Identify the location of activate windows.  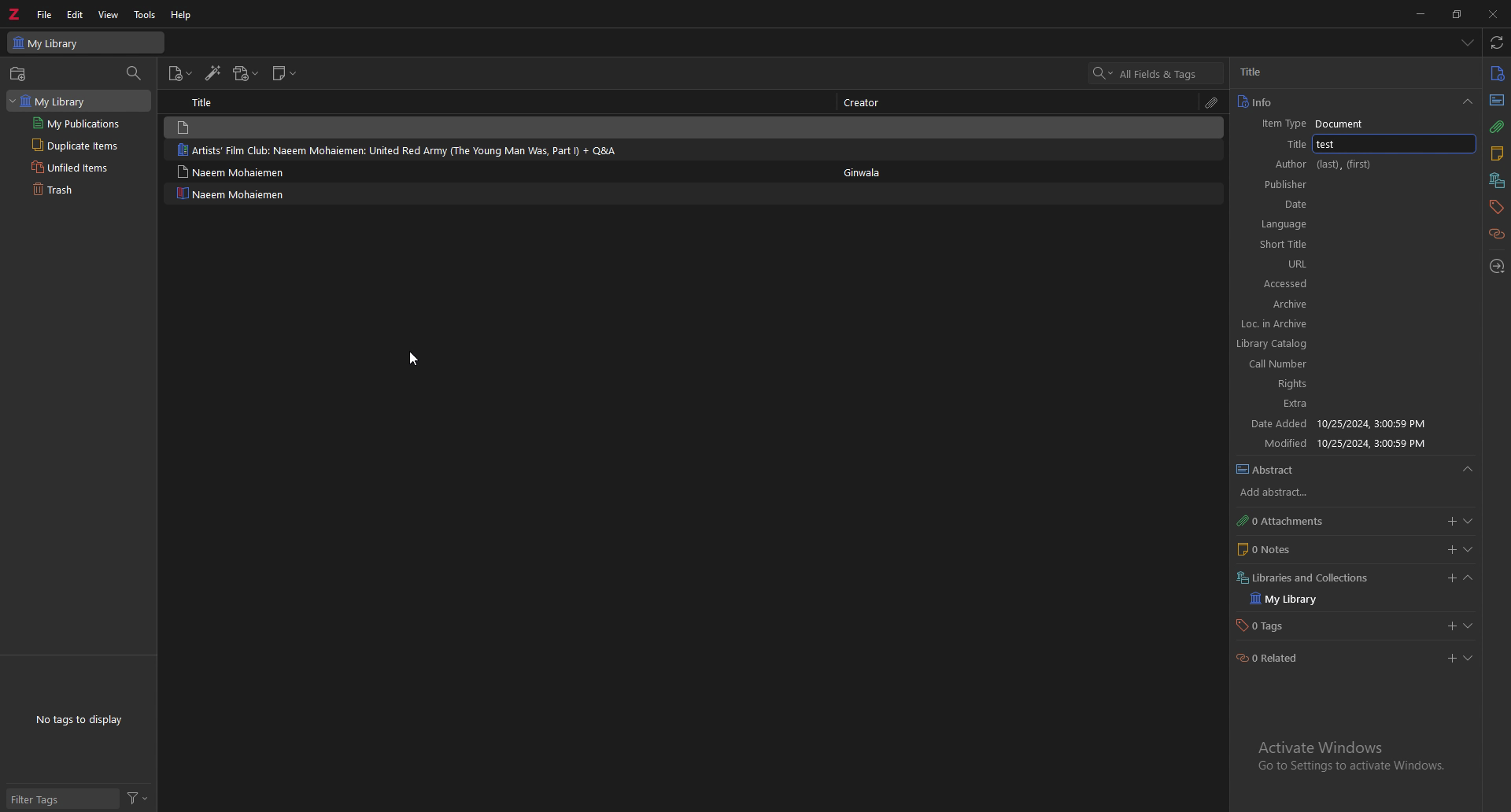
(1348, 758).